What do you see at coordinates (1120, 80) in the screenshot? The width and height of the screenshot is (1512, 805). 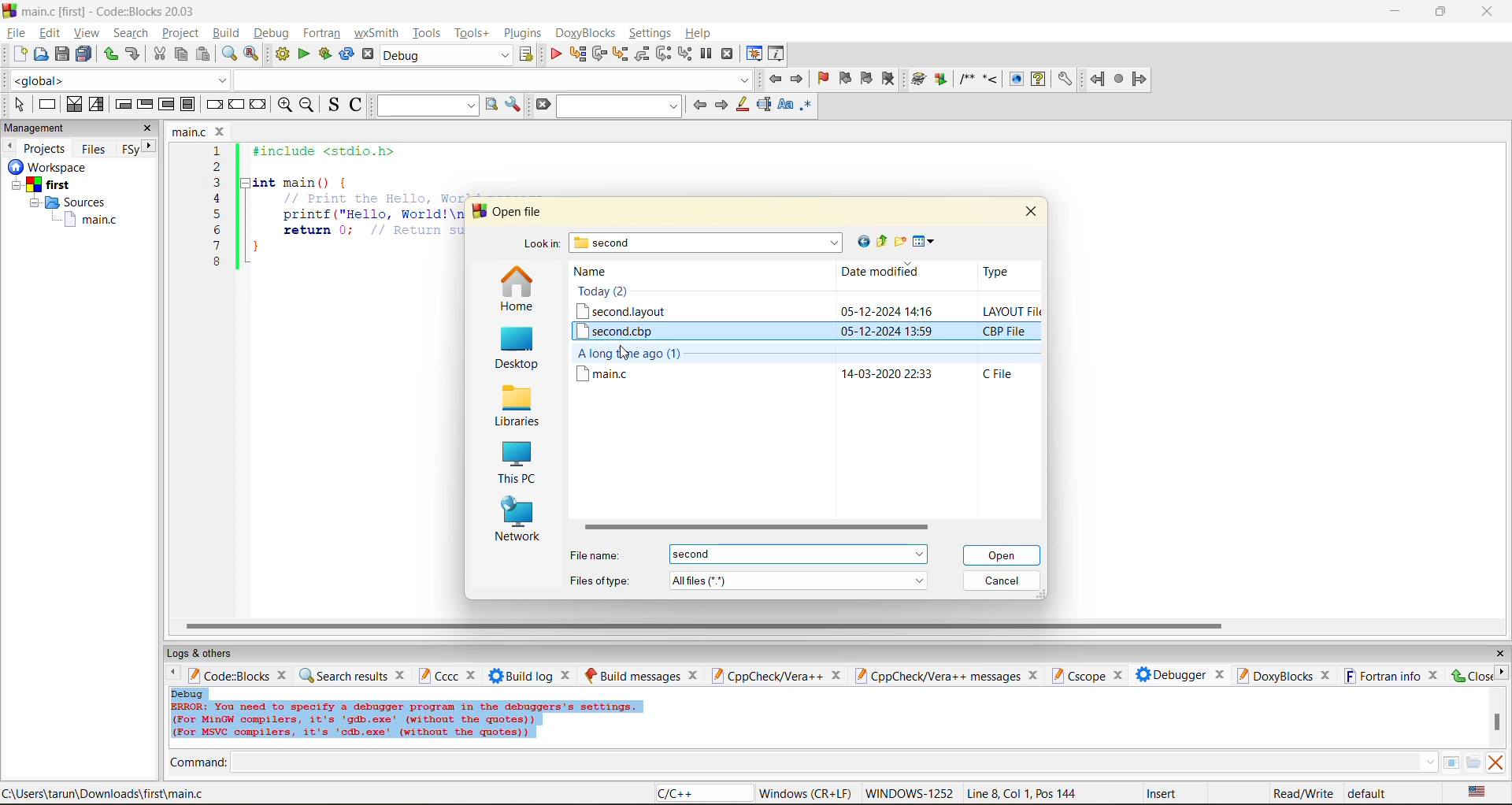 I see `stop` at bounding box center [1120, 80].